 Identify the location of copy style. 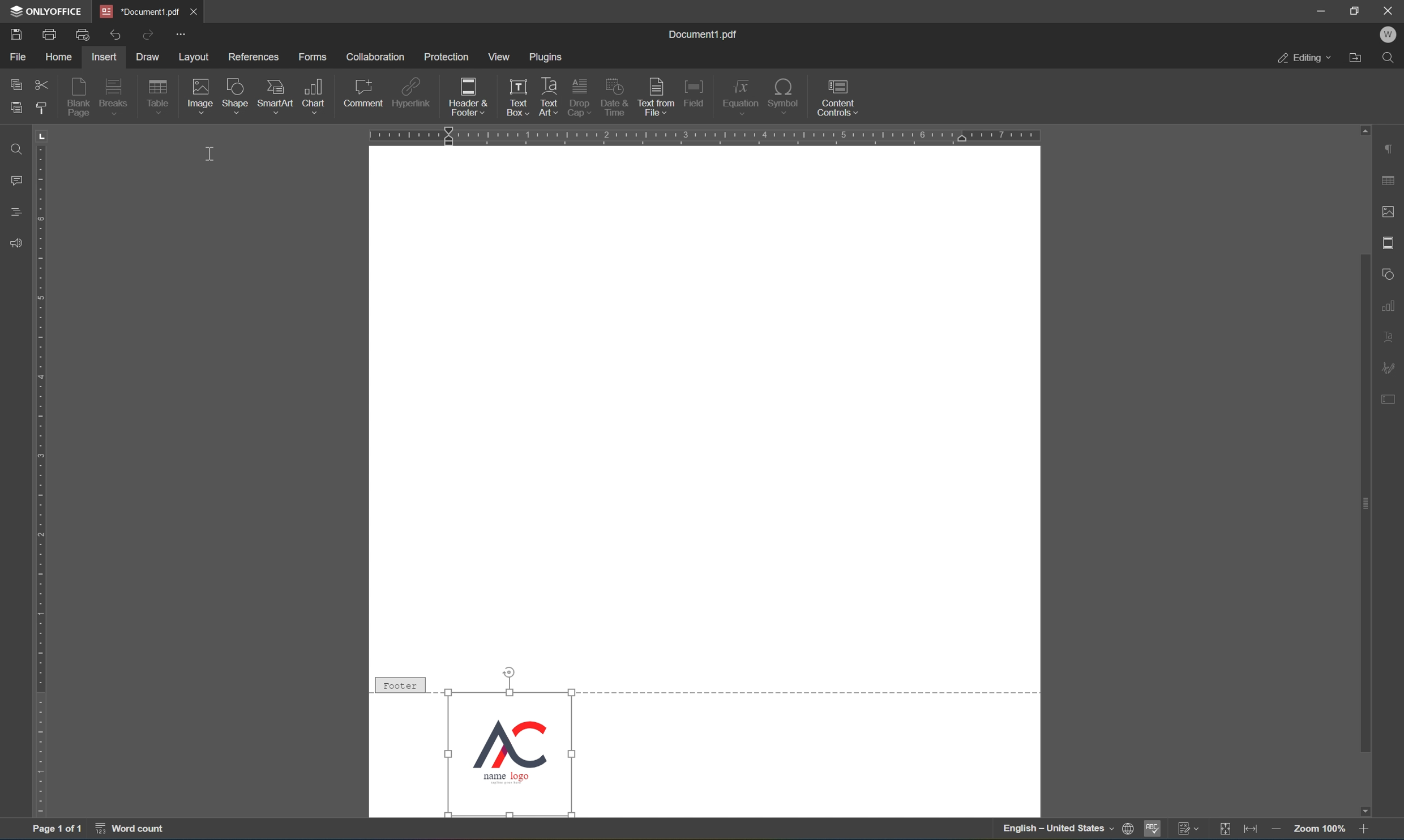
(40, 107).